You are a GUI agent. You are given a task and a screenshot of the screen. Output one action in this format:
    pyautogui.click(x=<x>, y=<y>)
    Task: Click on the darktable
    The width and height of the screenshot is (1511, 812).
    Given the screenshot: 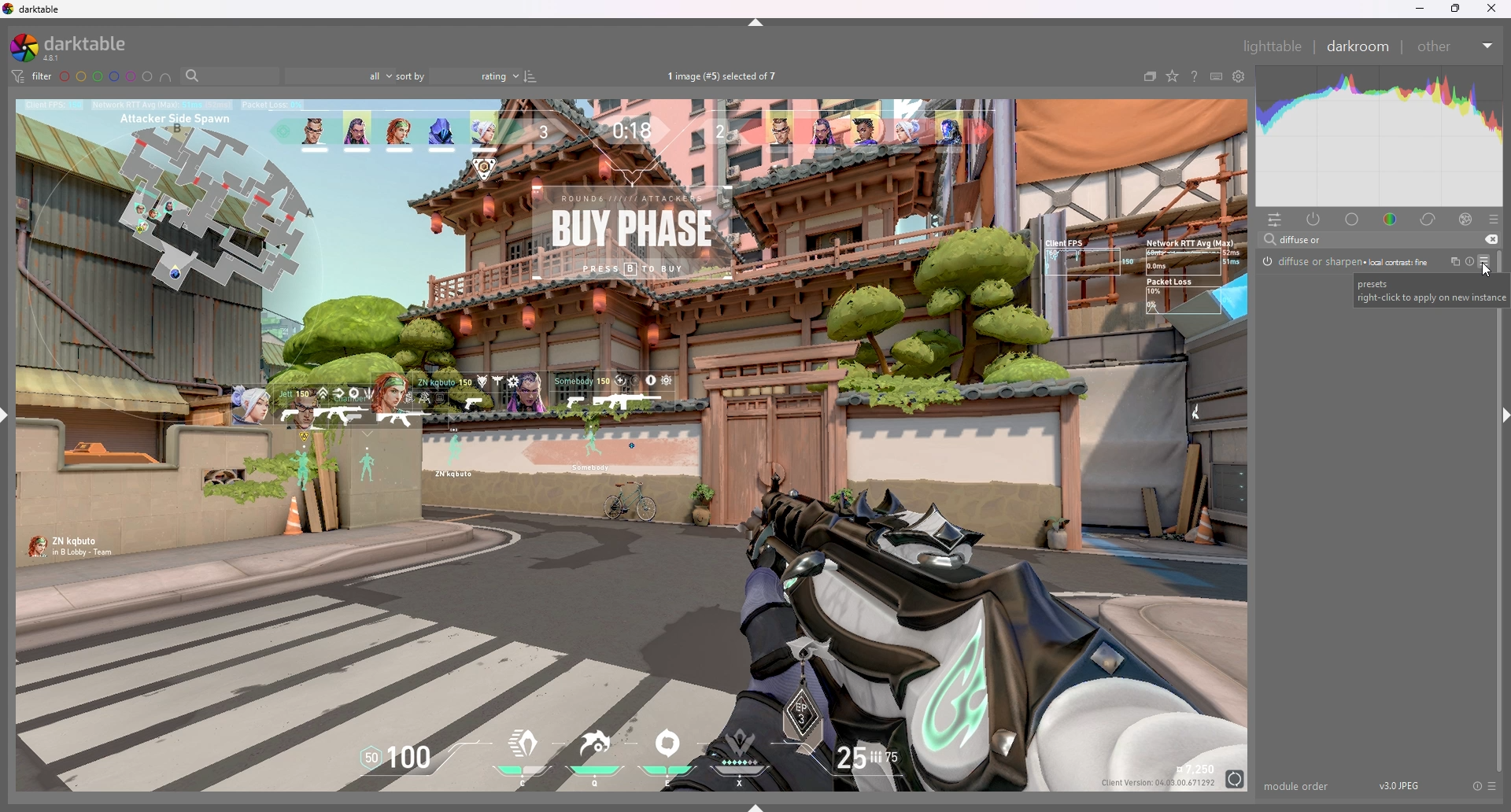 What is the action you would take?
    pyautogui.click(x=73, y=47)
    